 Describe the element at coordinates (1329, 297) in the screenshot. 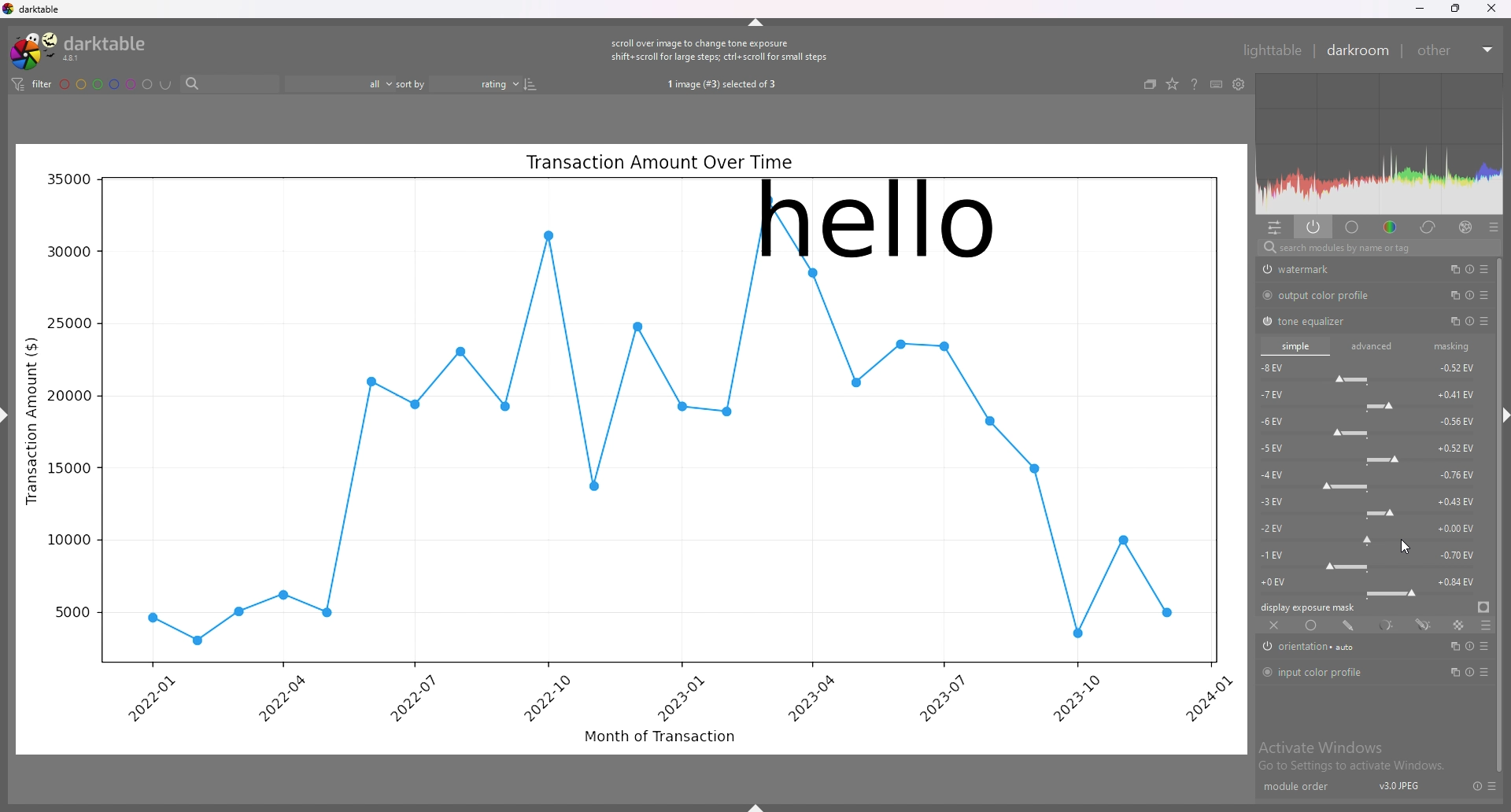

I see `output color profile` at that location.